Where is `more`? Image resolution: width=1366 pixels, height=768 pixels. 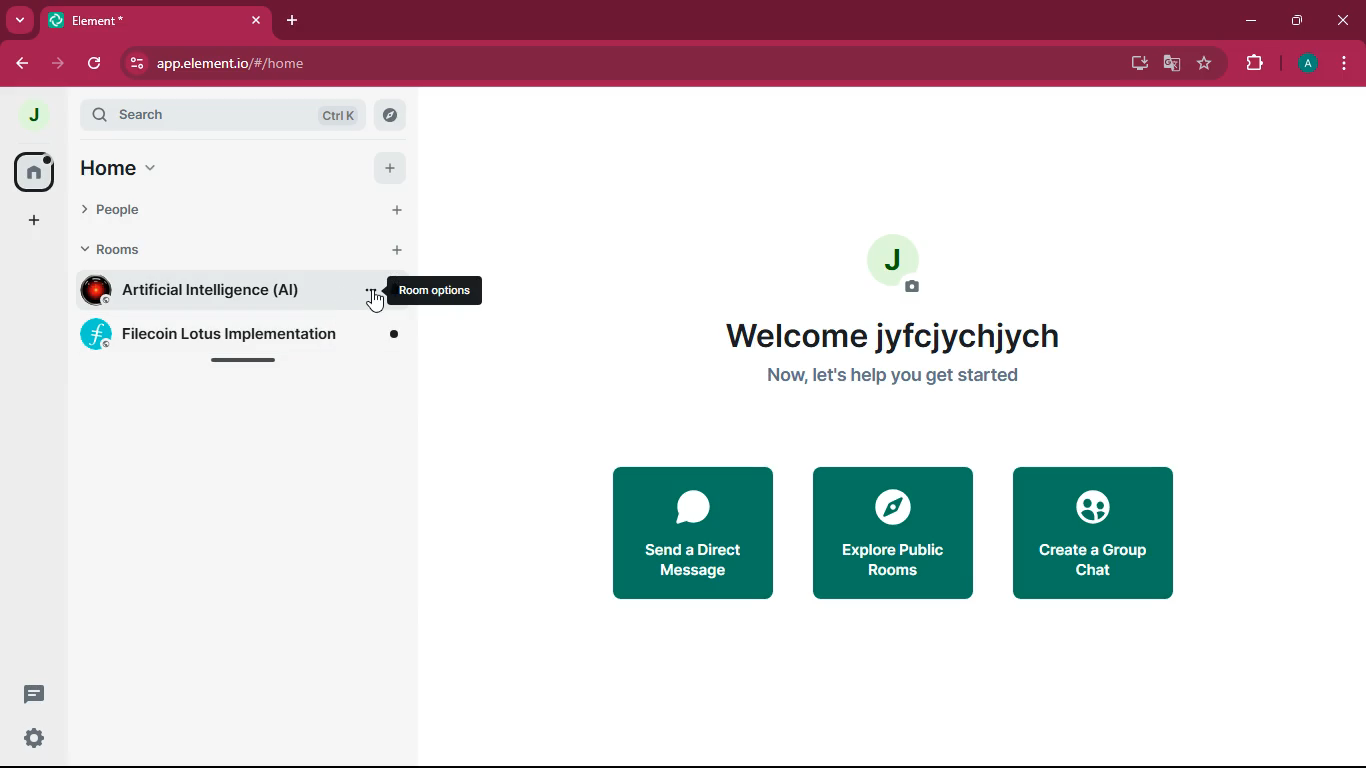
more is located at coordinates (17, 20).